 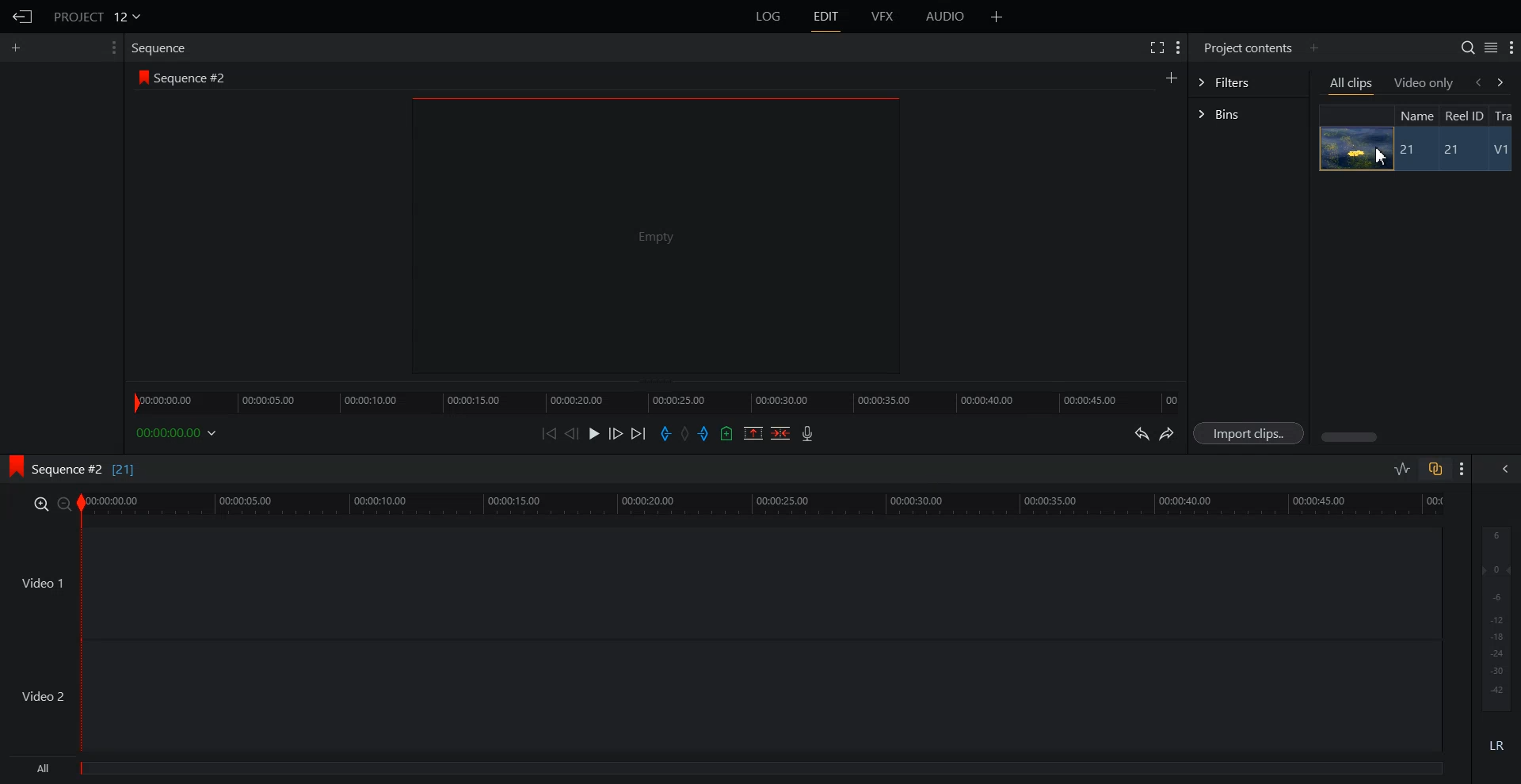 I want to click on video time, so click(x=765, y=502).